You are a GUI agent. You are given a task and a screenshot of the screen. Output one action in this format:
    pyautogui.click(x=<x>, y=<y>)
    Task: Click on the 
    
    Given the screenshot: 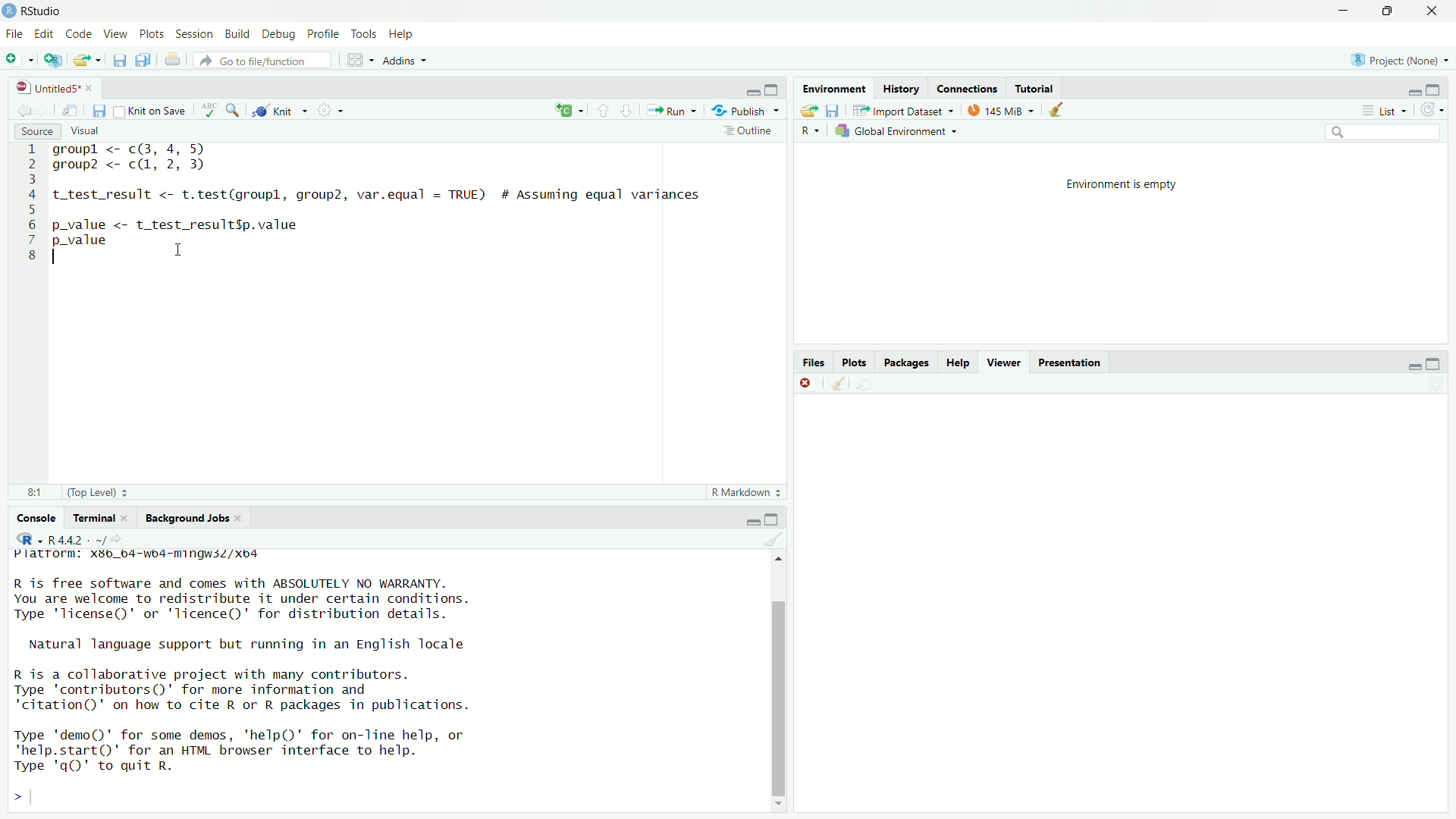 What is the action you would take?
    pyautogui.click(x=811, y=131)
    